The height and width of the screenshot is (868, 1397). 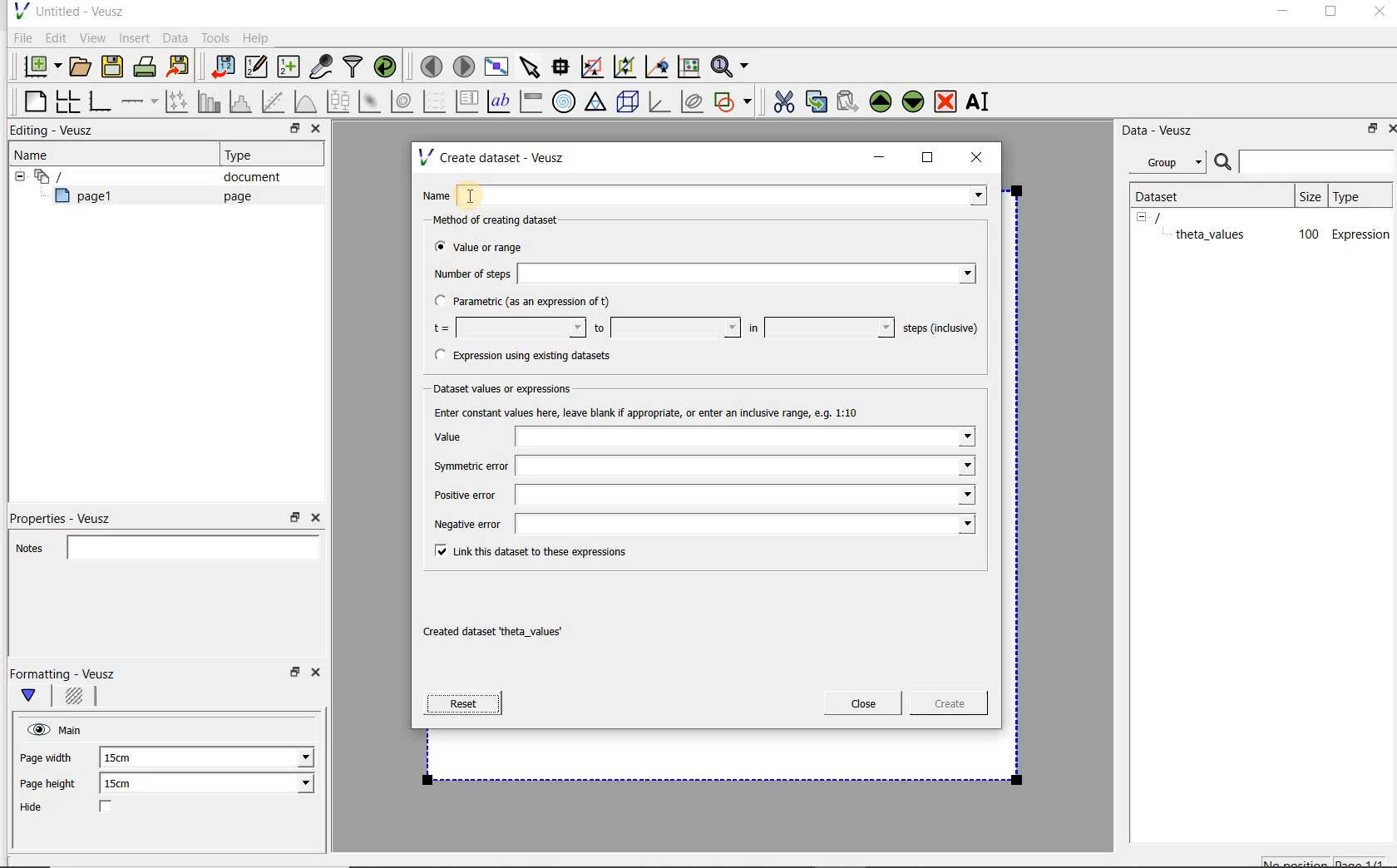 I want to click on Close, so click(x=314, y=131).